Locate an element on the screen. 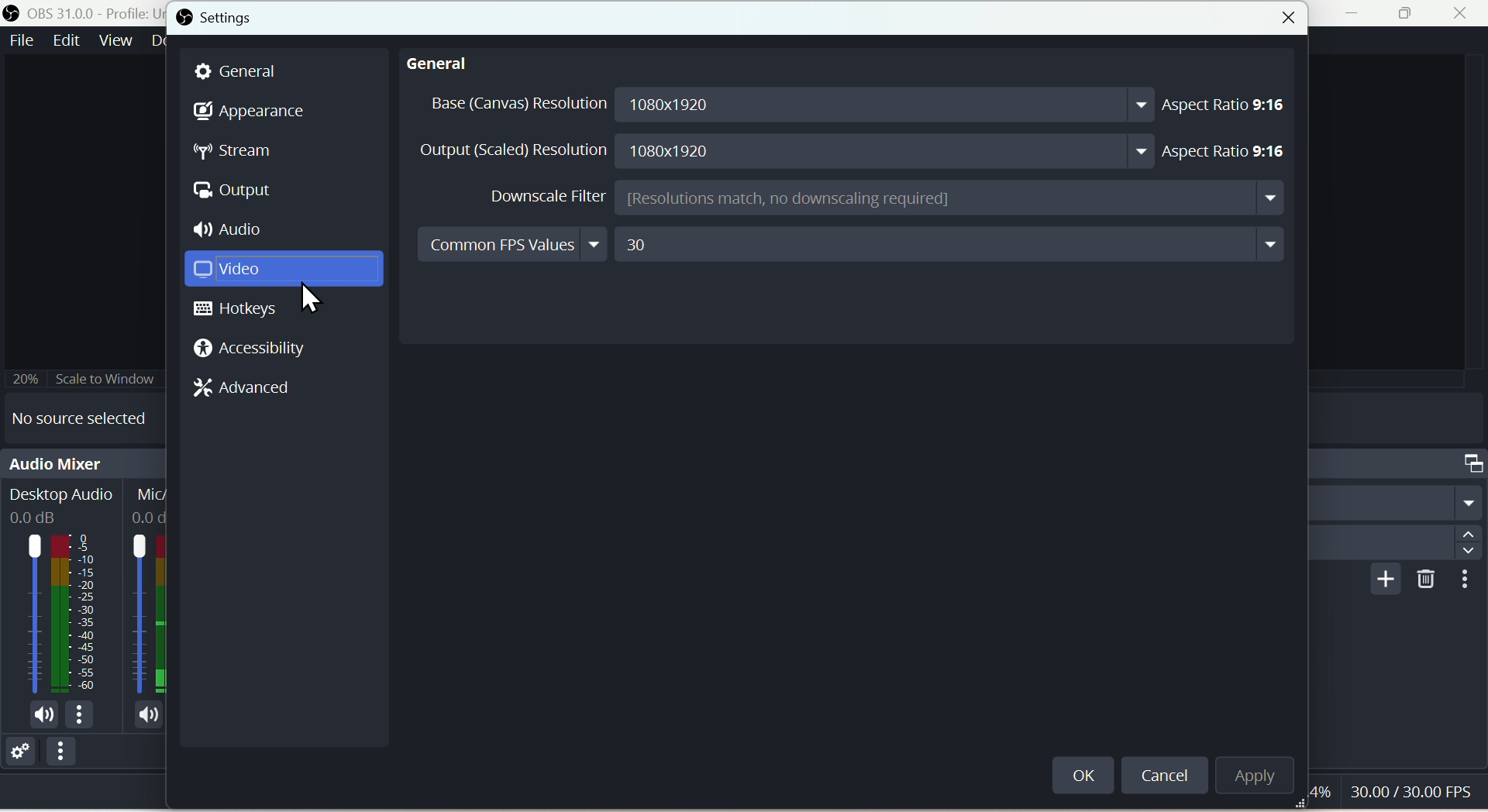  Output resolution is located at coordinates (785, 150).